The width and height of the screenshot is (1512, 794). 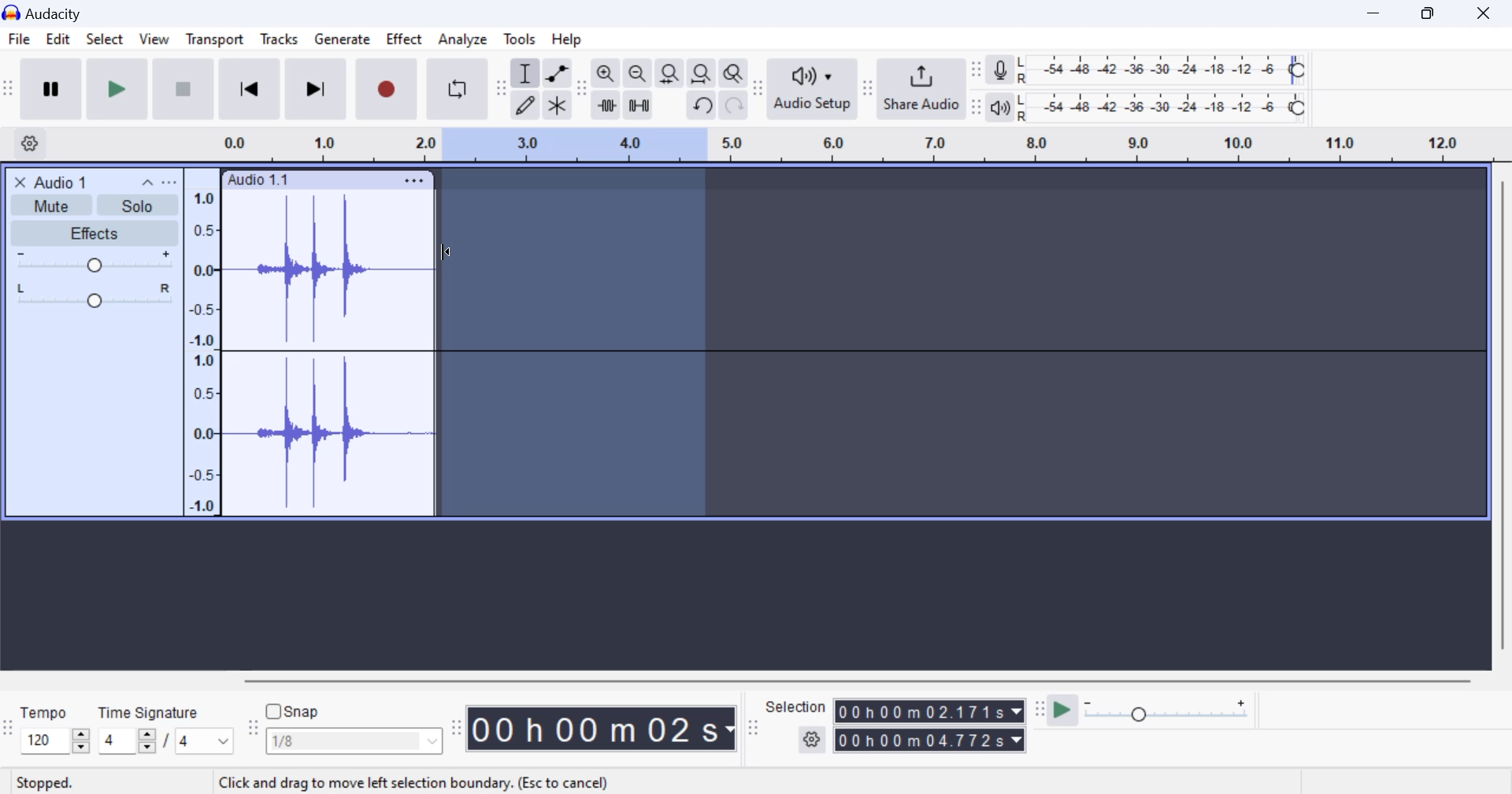 What do you see at coordinates (18, 39) in the screenshot?
I see `File` at bounding box center [18, 39].